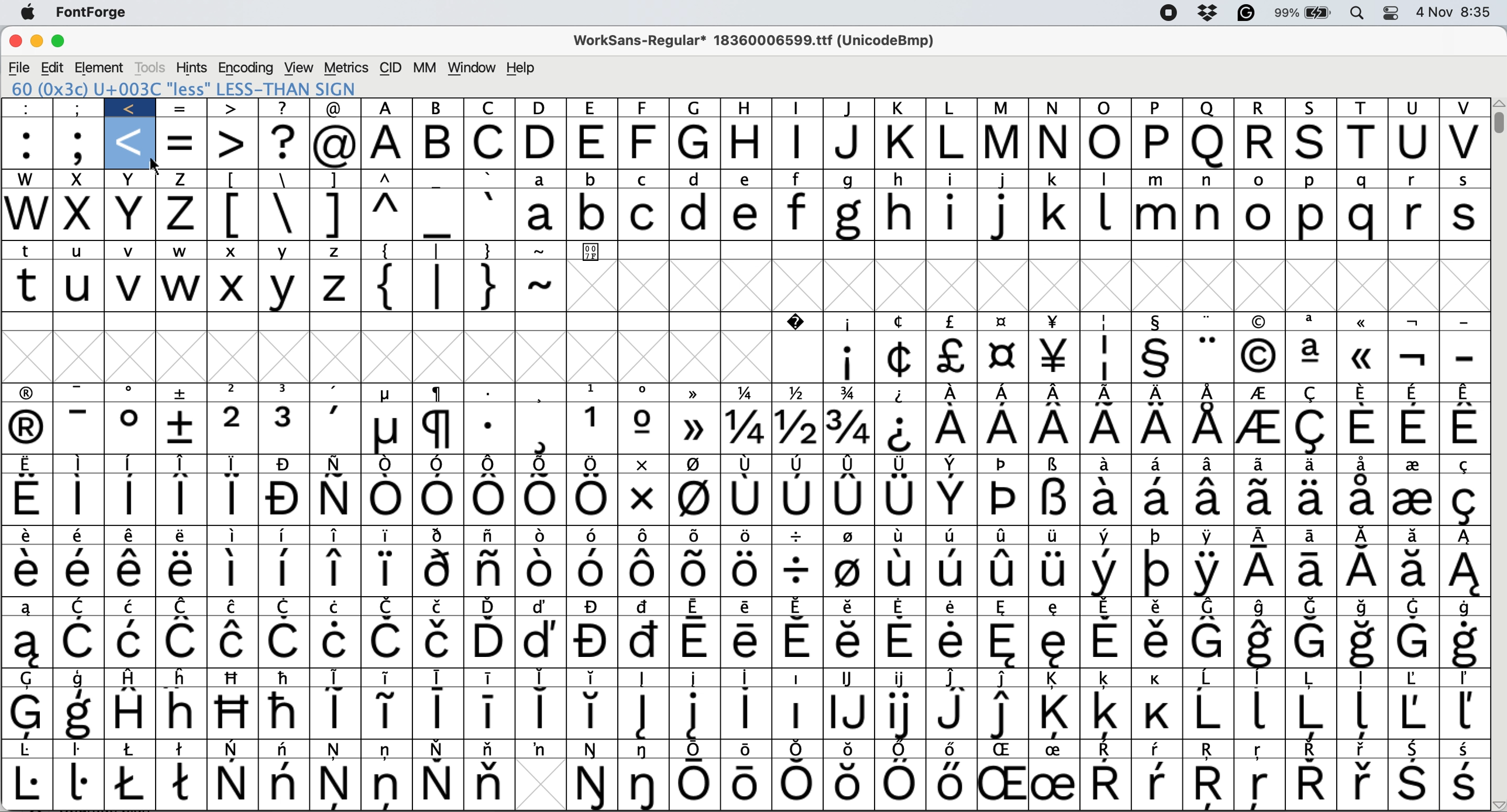 This screenshot has width=1507, height=812. Describe the element at coordinates (851, 784) in the screenshot. I see `Symbol` at that location.